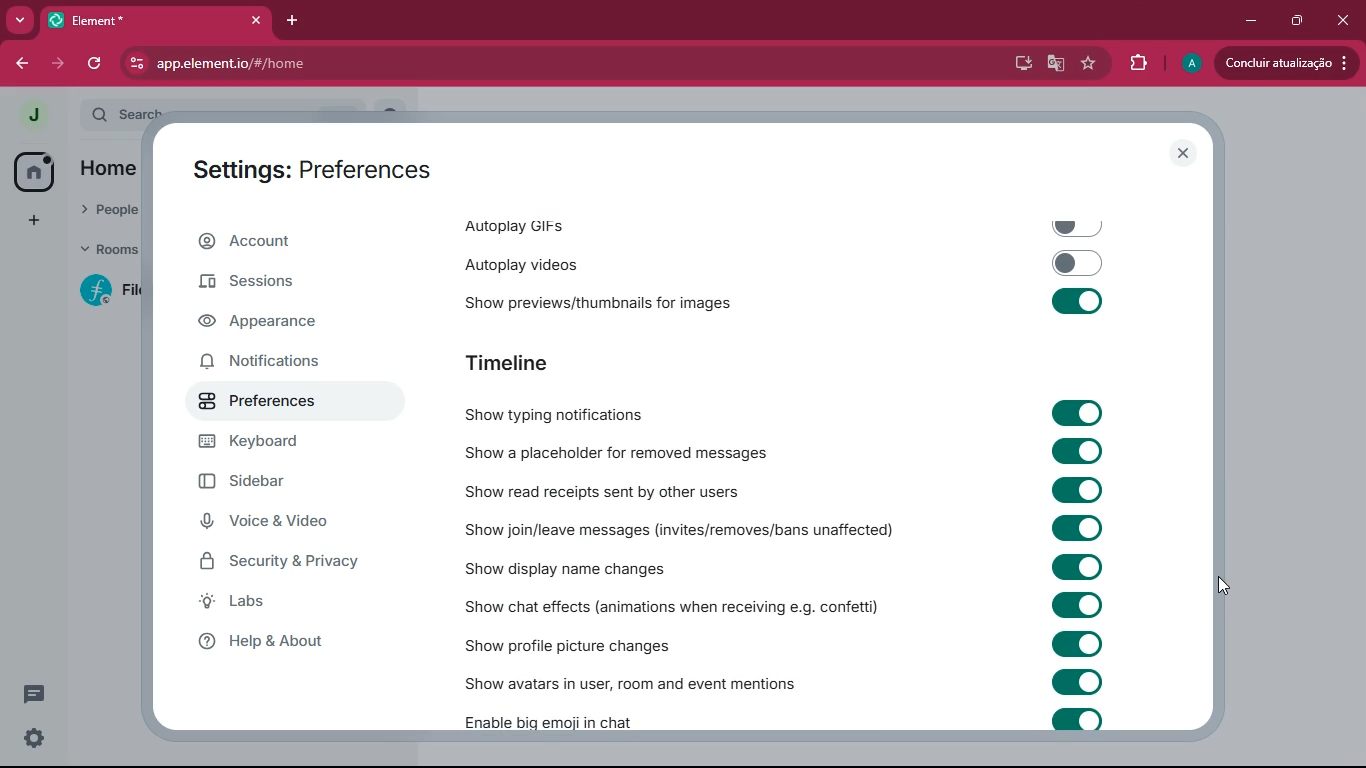 This screenshot has width=1366, height=768. I want to click on update, so click(1291, 64).